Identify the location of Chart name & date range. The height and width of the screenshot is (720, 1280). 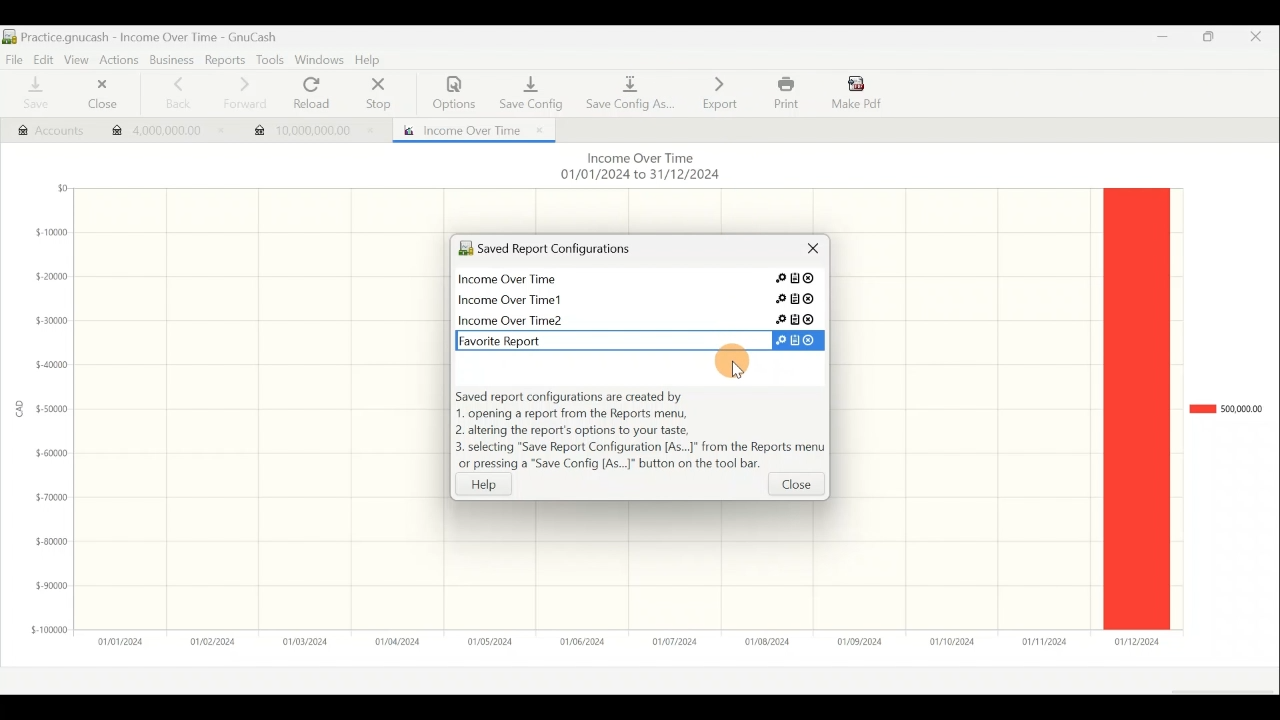
(638, 168).